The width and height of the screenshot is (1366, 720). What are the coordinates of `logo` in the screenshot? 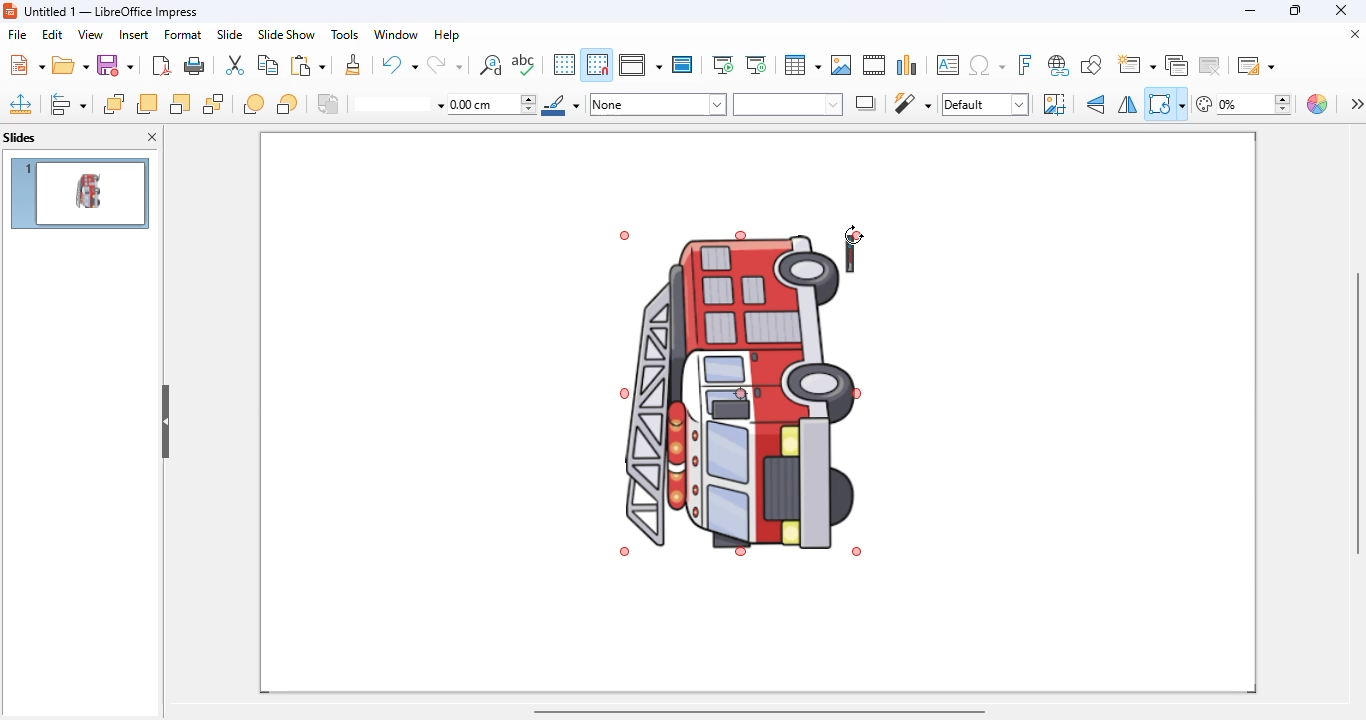 It's located at (10, 10).